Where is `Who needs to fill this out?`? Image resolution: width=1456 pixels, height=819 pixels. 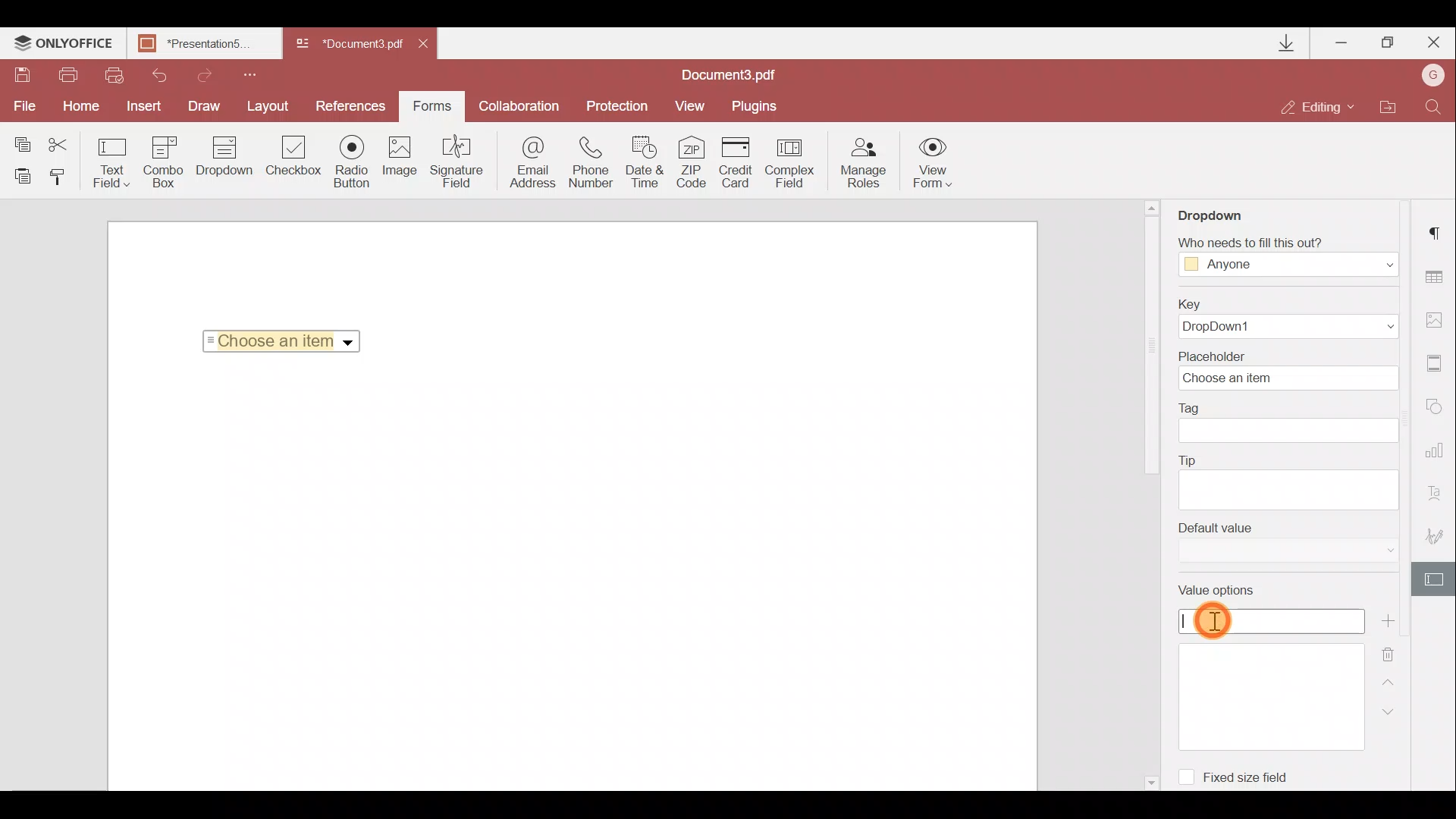 Who needs to fill this out? is located at coordinates (1288, 252).